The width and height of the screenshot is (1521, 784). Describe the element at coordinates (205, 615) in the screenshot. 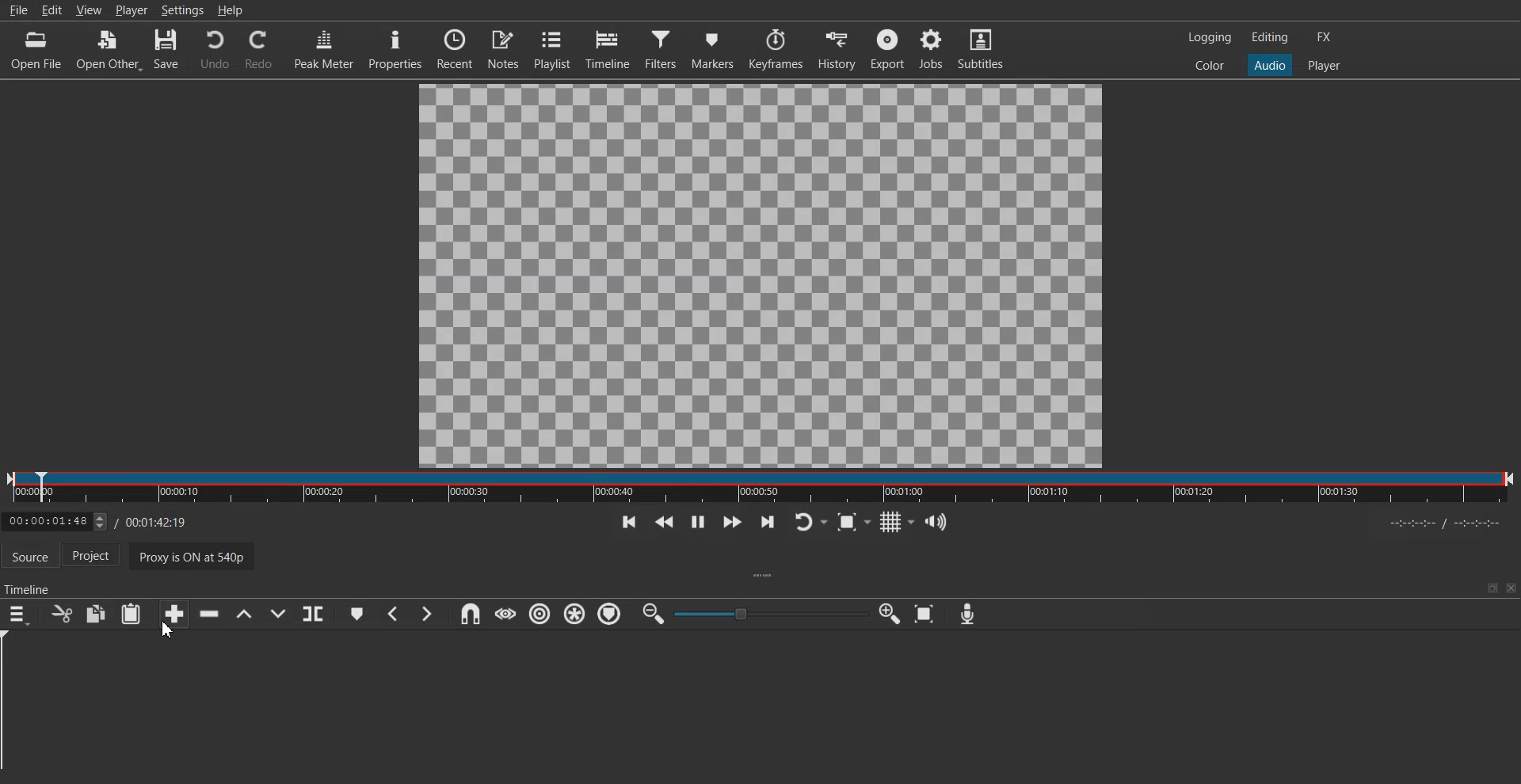

I see `Ripple Delete` at that location.